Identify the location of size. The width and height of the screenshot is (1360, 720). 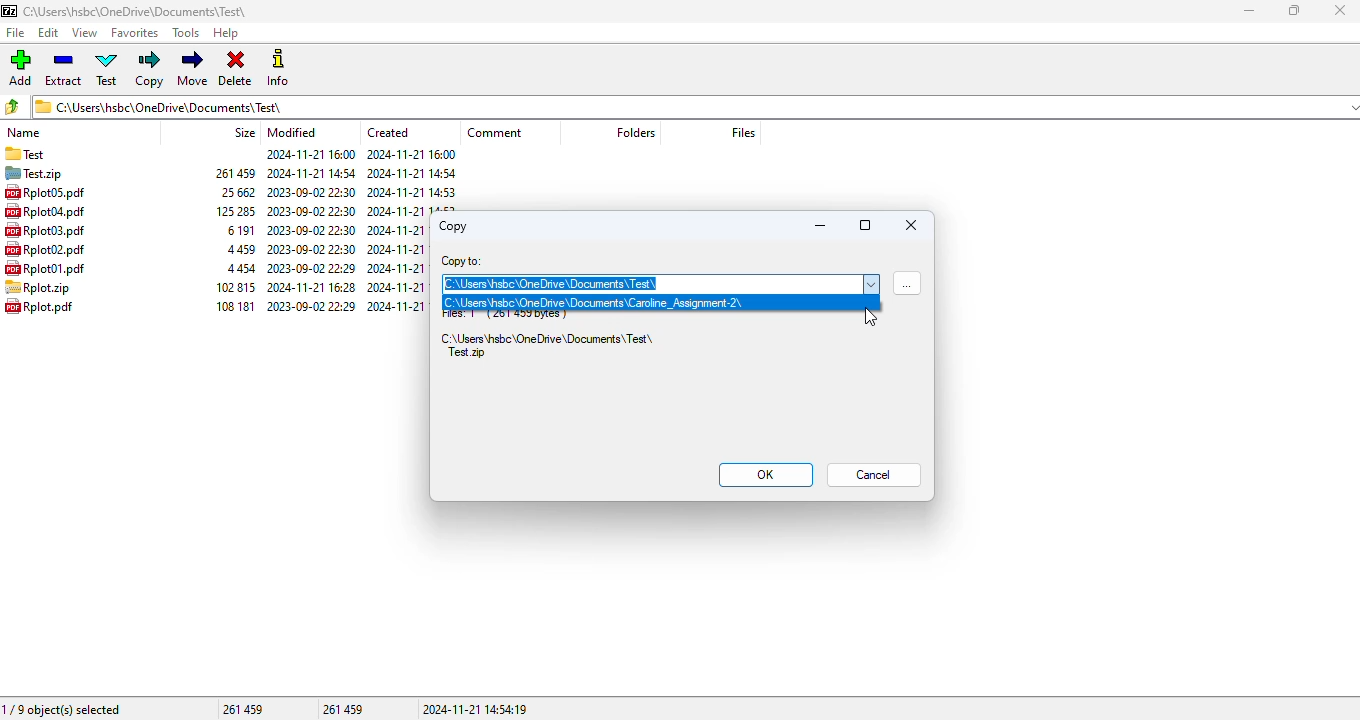
(241, 268).